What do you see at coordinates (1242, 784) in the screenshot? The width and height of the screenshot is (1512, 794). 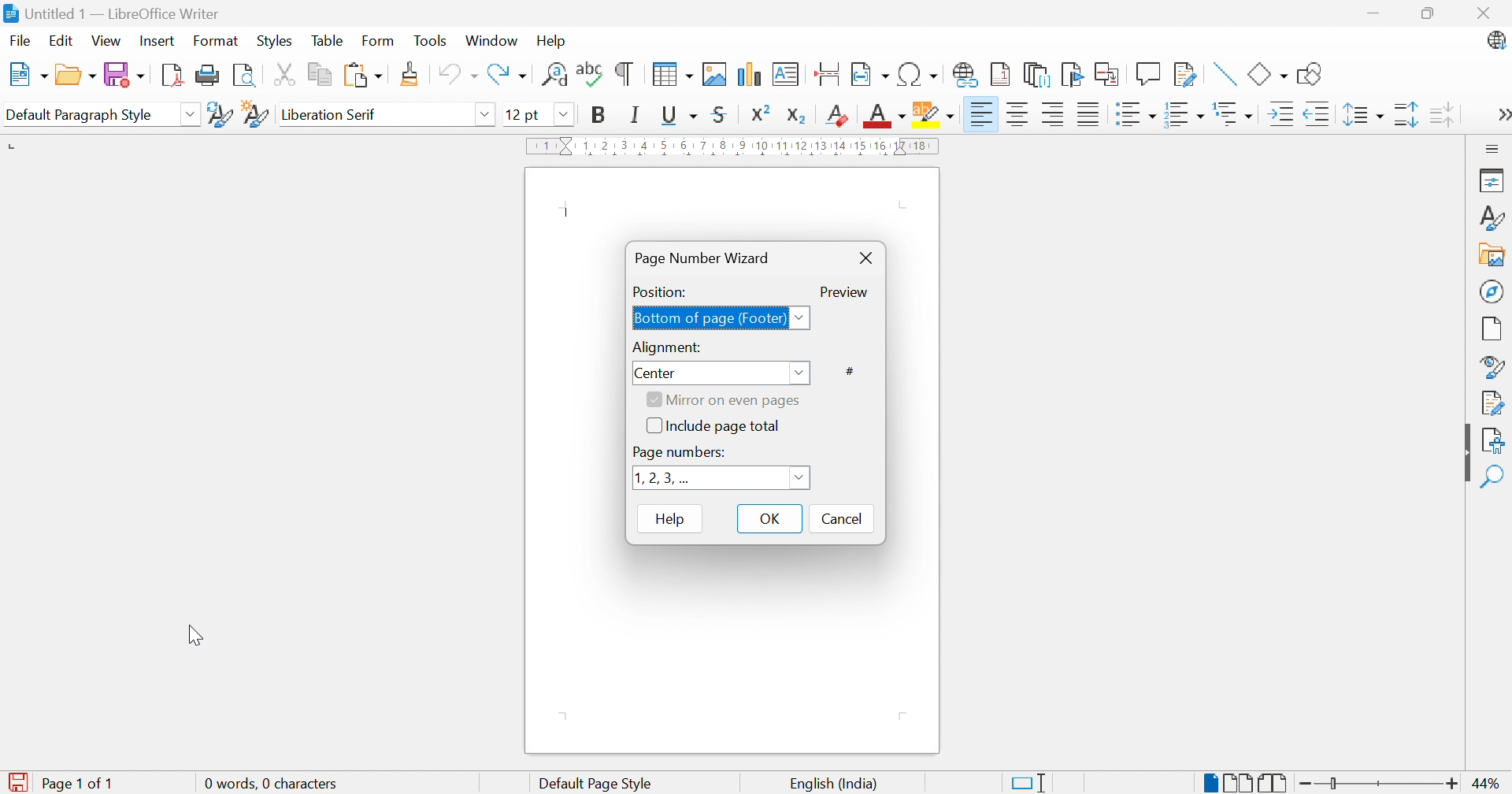 I see `Multiple-page view` at bounding box center [1242, 784].